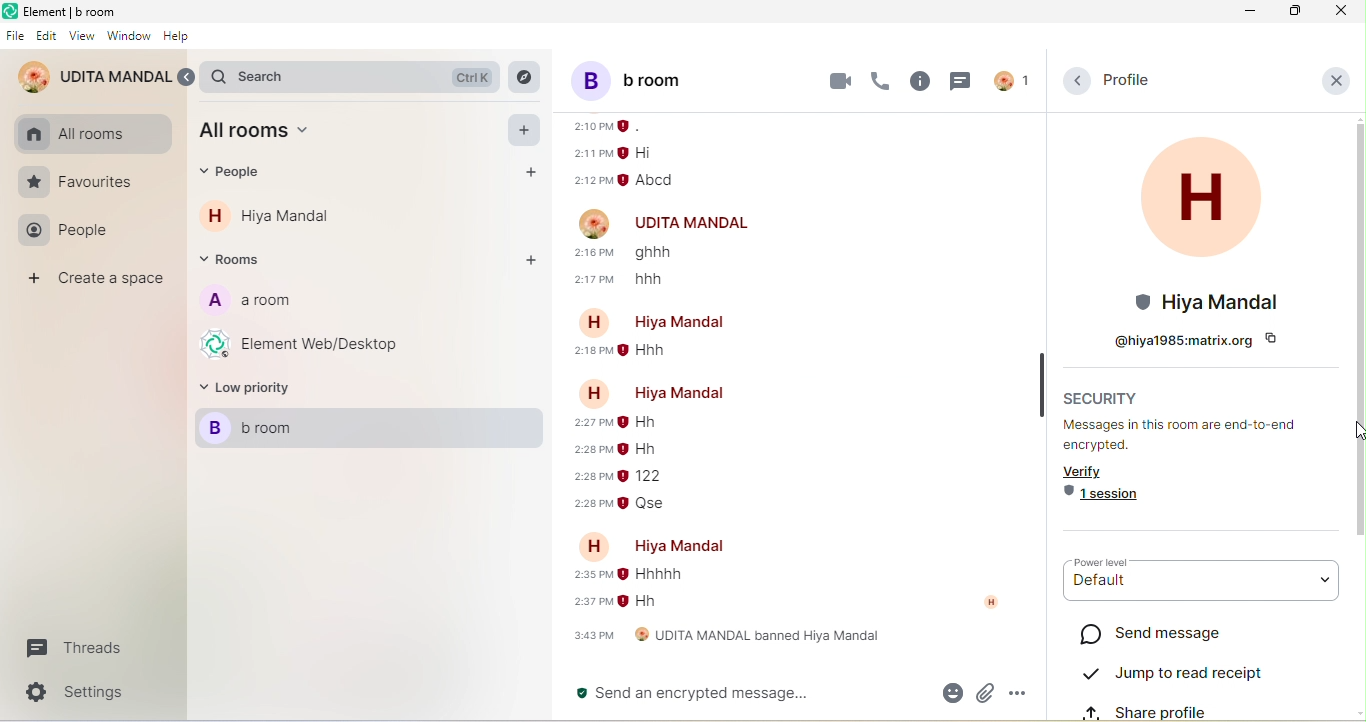 This screenshot has height=722, width=1366. Describe the element at coordinates (525, 78) in the screenshot. I see `explore` at that location.